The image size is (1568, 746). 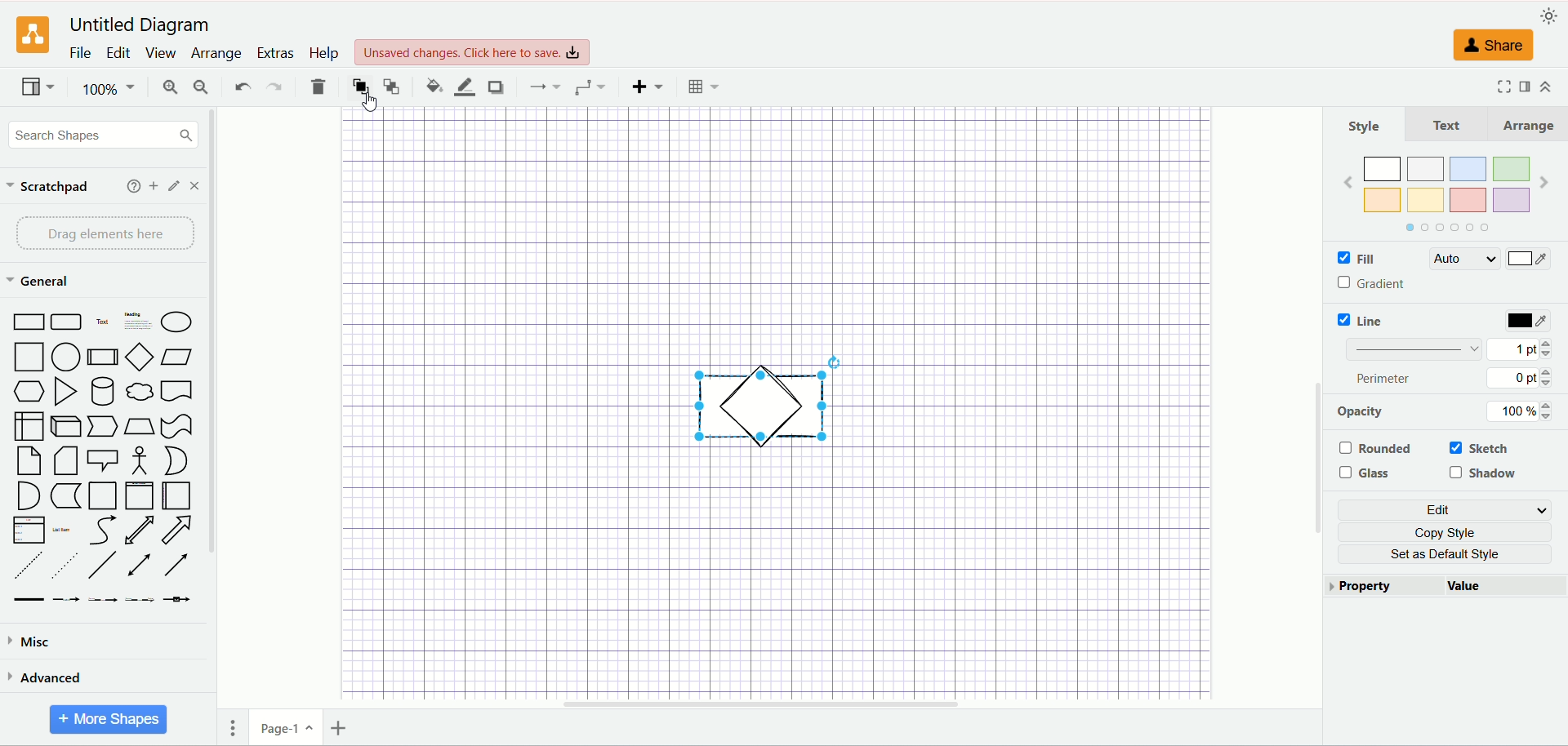 What do you see at coordinates (1467, 260) in the screenshot?
I see `auto` at bounding box center [1467, 260].